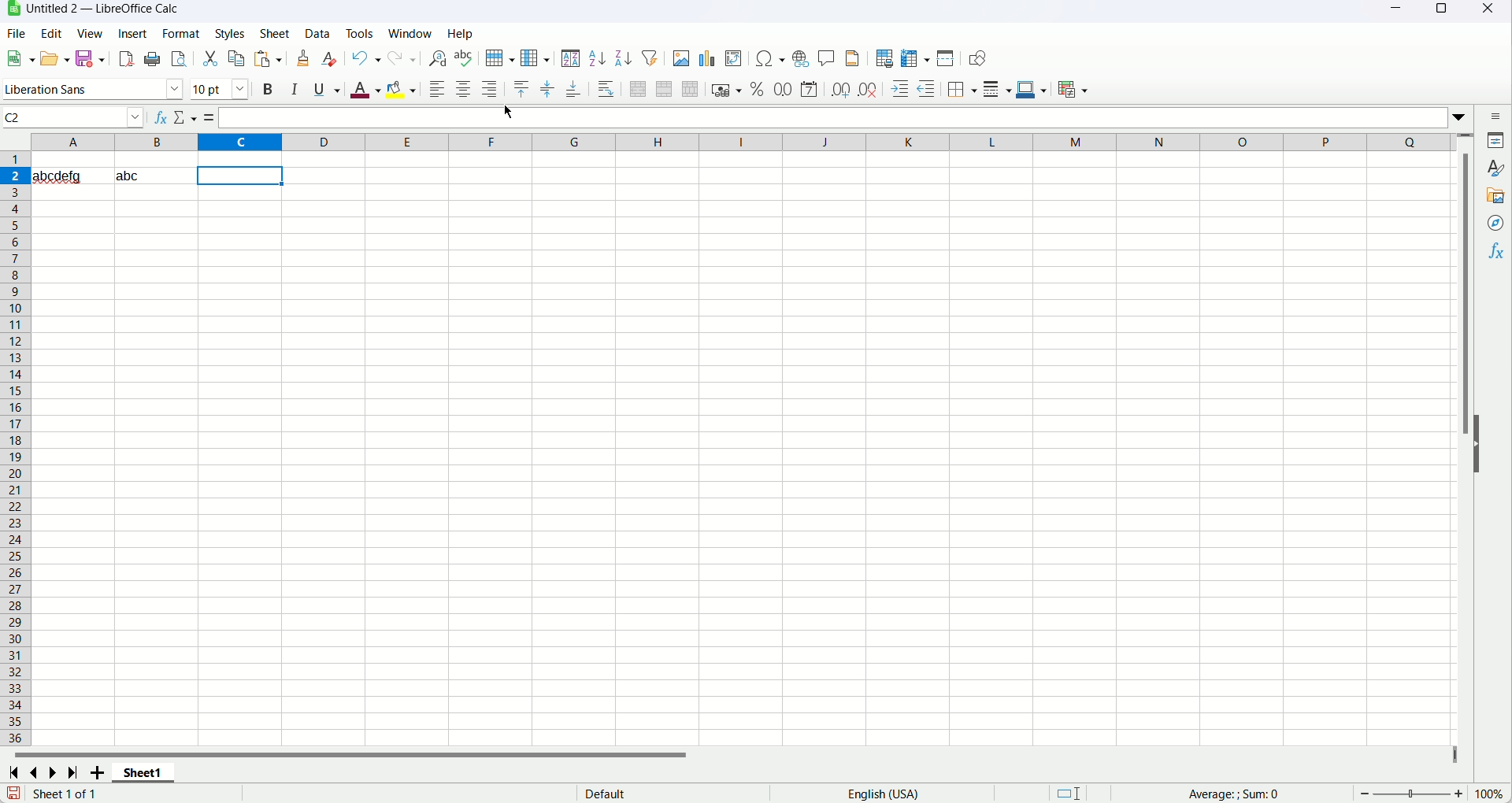  Describe the element at coordinates (537, 58) in the screenshot. I see `column` at that location.